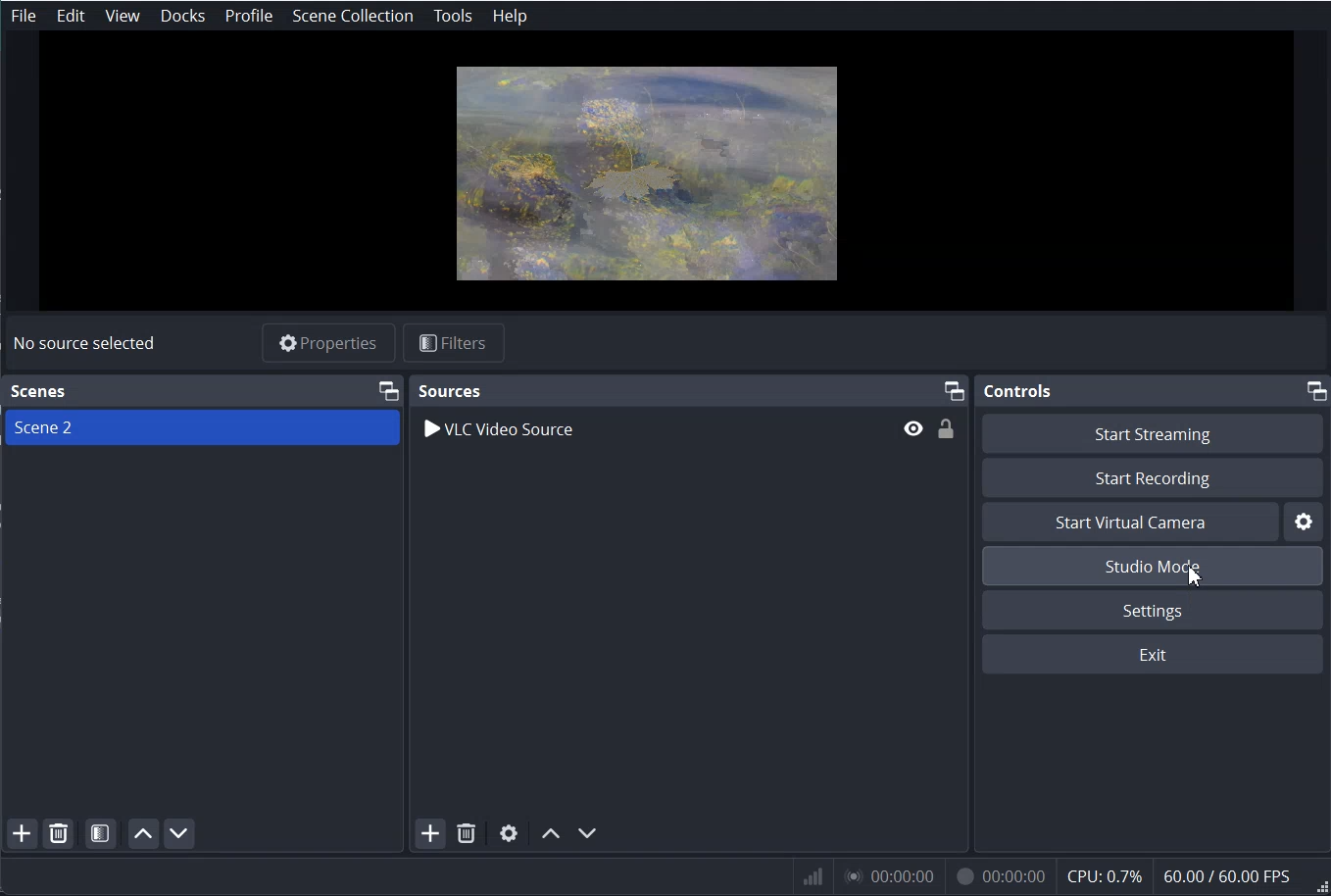 The width and height of the screenshot is (1331, 896). What do you see at coordinates (1156, 610) in the screenshot?
I see `Settings` at bounding box center [1156, 610].